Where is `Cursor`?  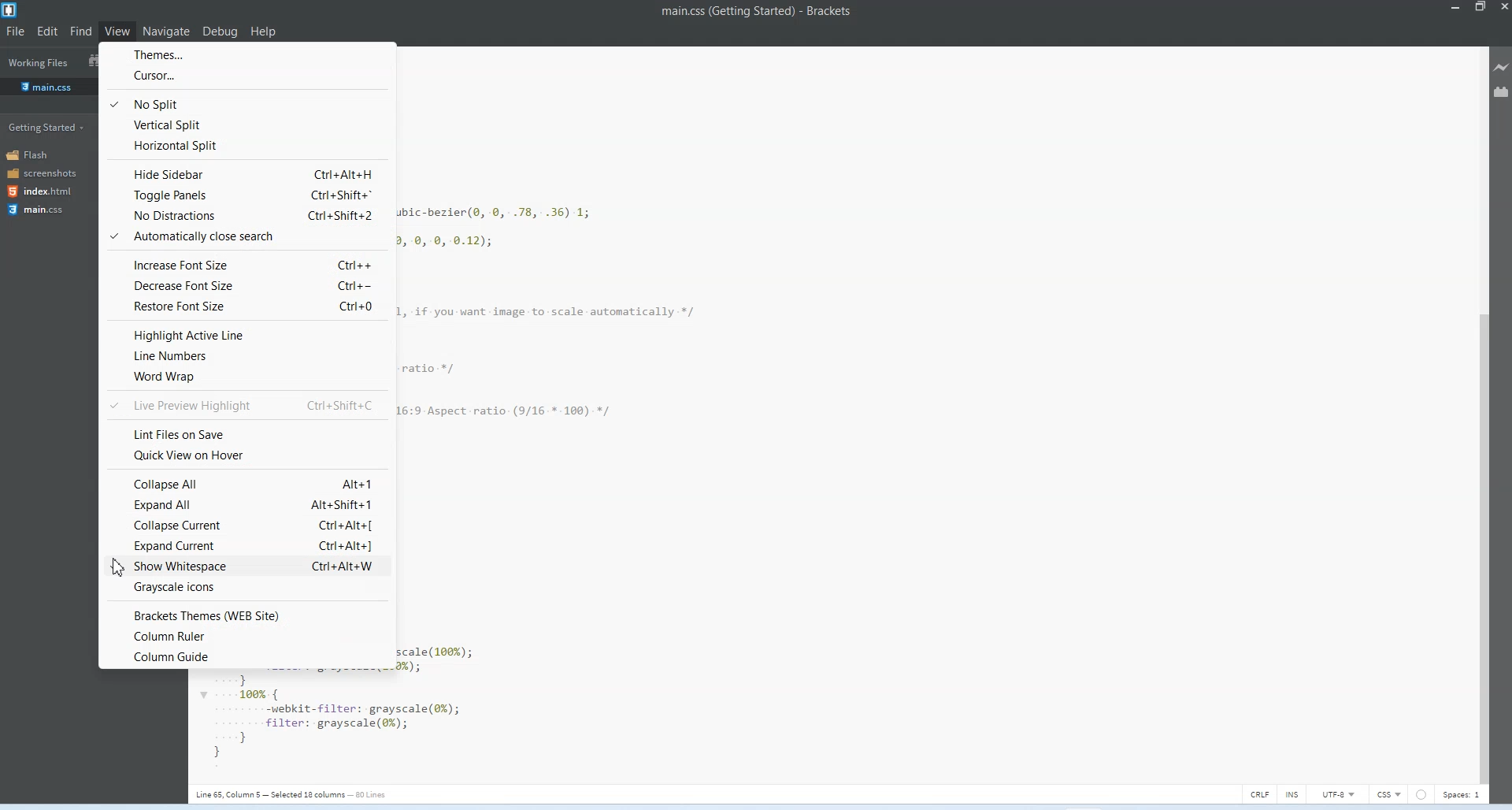 Cursor is located at coordinates (249, 74).